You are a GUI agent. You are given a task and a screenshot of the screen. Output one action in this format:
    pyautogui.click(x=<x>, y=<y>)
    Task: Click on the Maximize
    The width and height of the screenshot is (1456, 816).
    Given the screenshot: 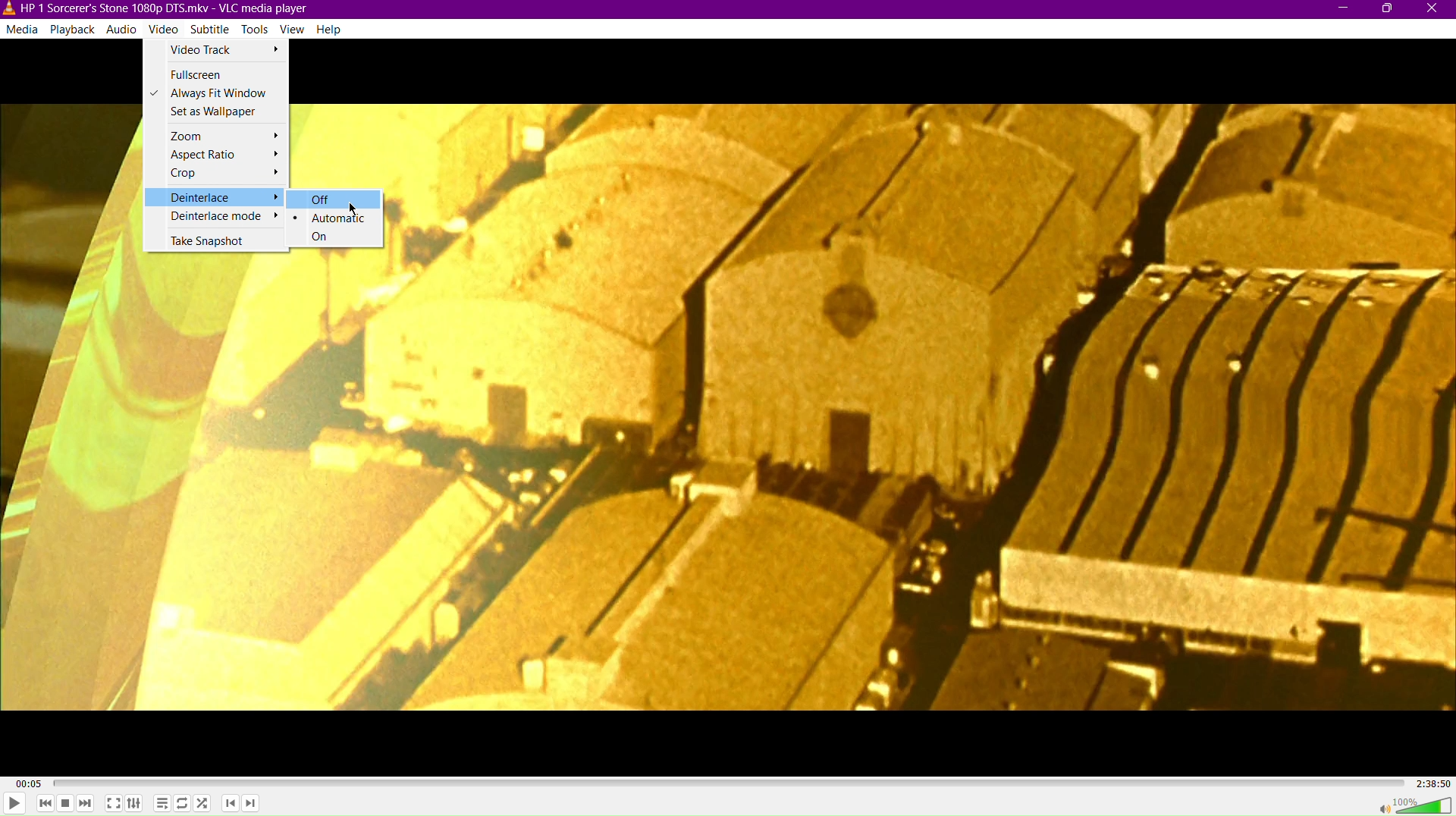 What is the action you would take?
    pyautogui.click(x=1387, y=9)
    